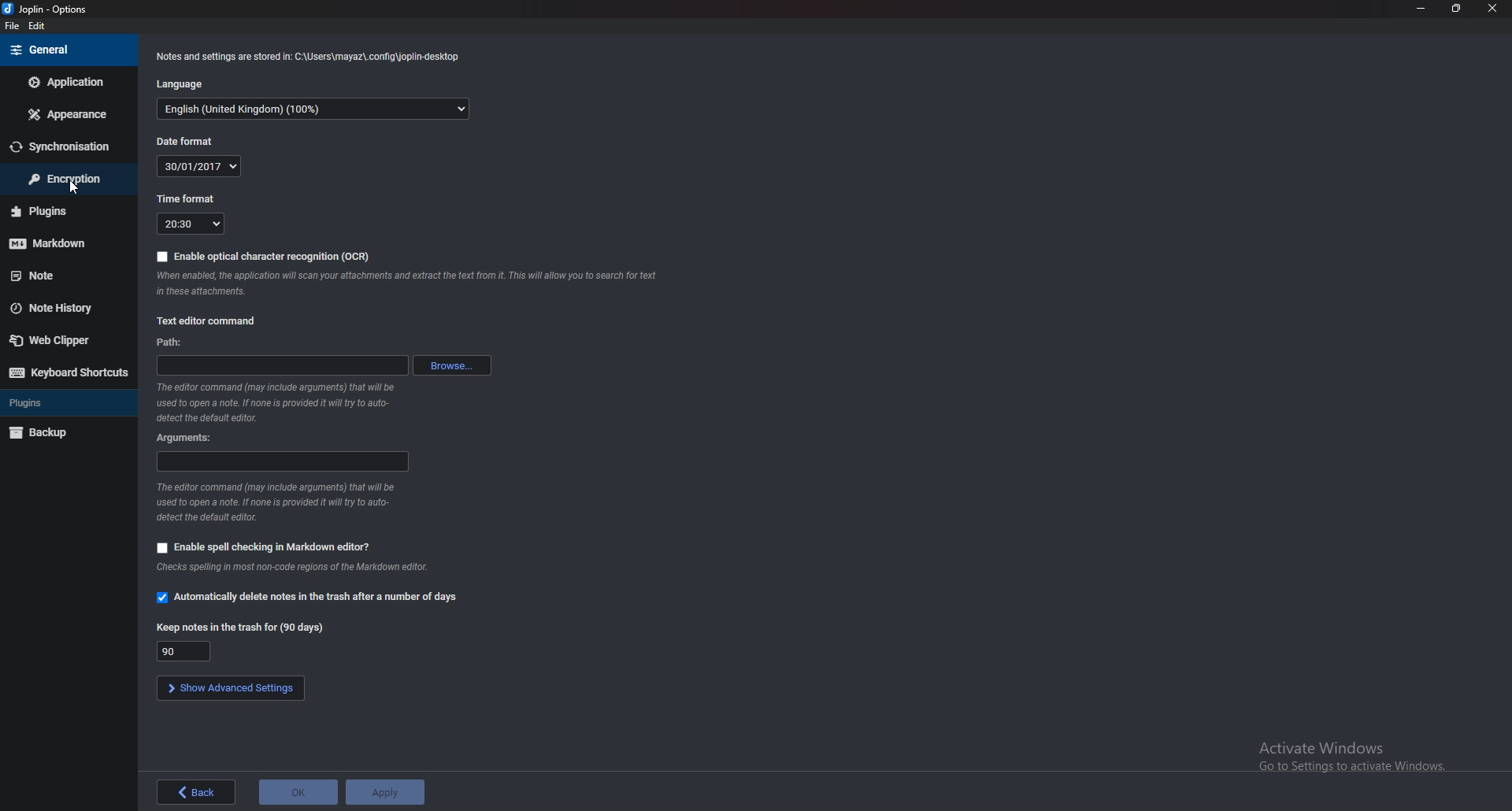  What do you see at coordinates (311, 58) in the screenshot?
I see `notes and settings are stored in` at bounding box center [311, 58].